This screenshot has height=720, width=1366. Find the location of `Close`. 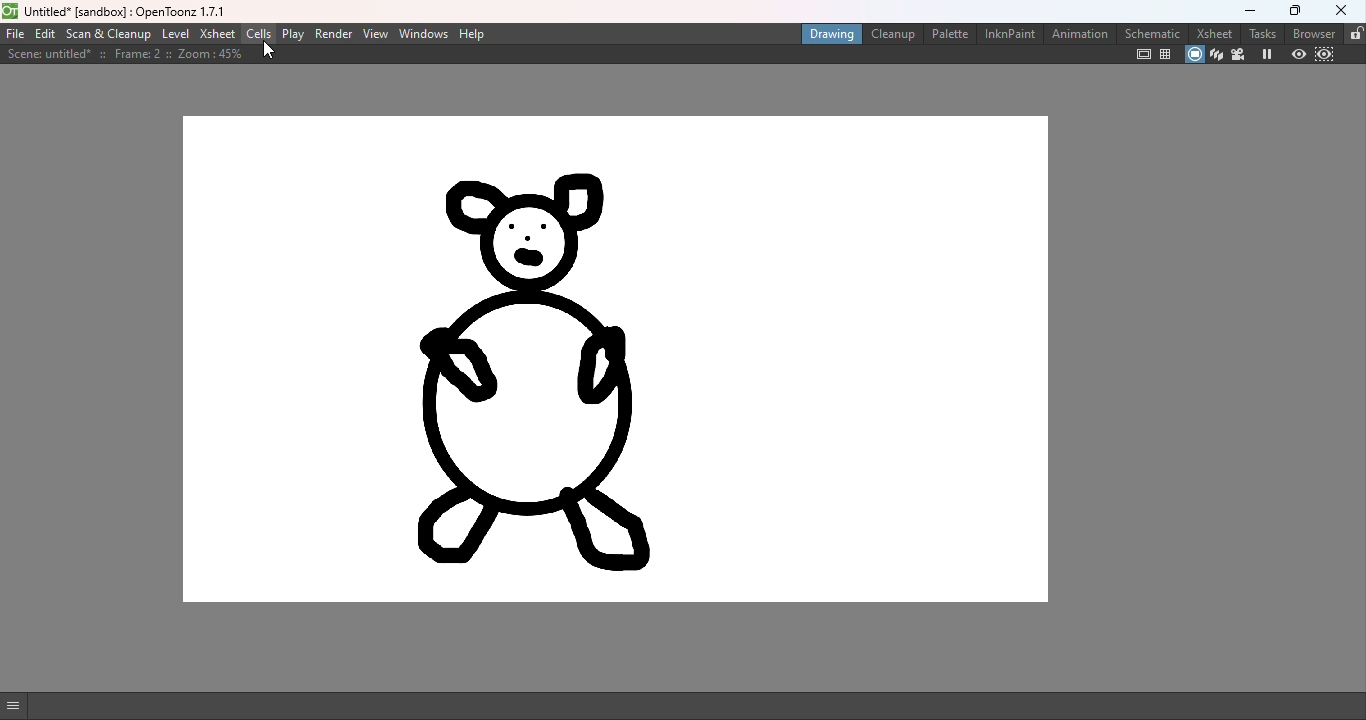

Close is located at coordinates (1343, 12).